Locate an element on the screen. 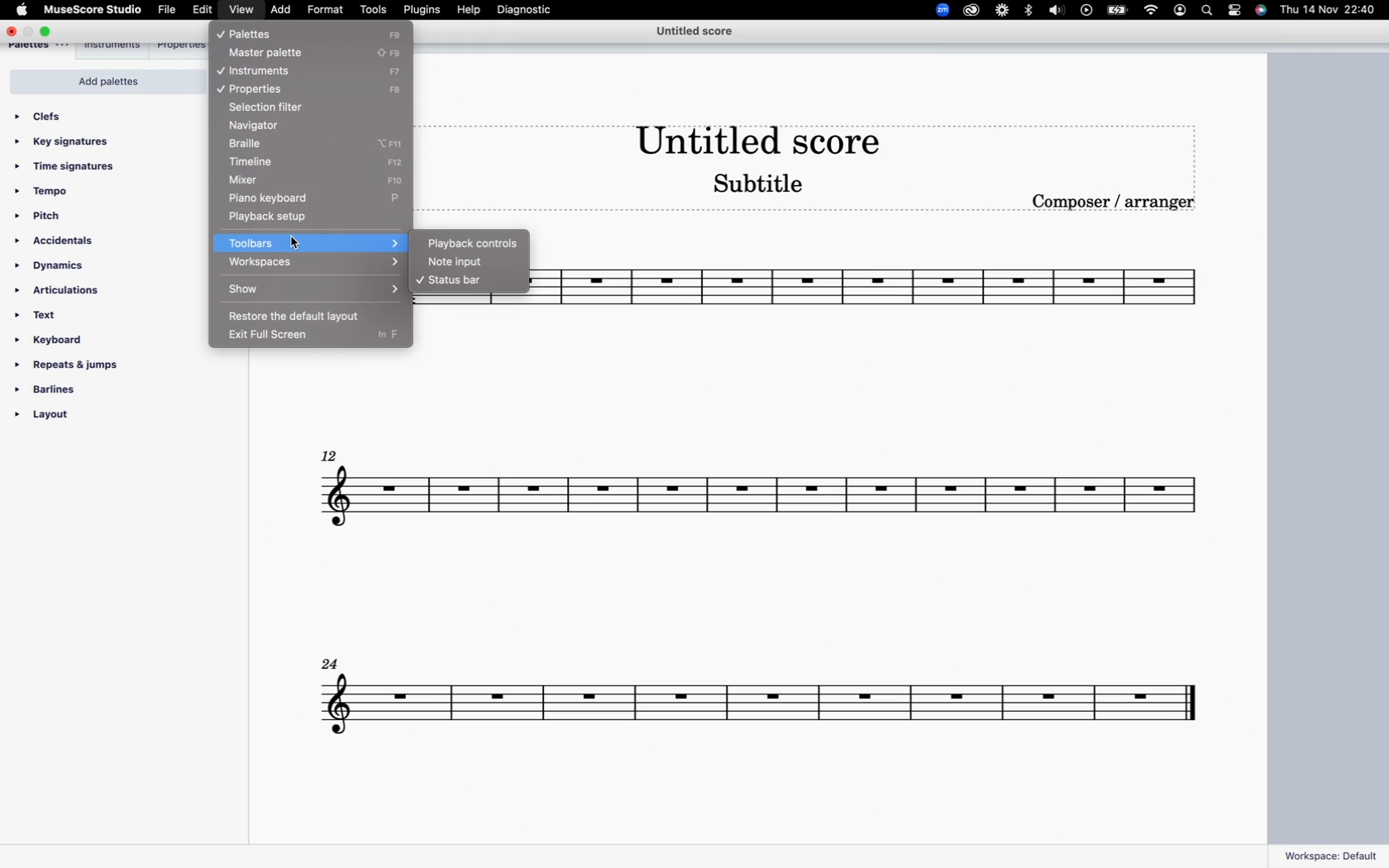 The width and height of the screenshot is (1389, 868). palettes is located at coordinates (41, 48).